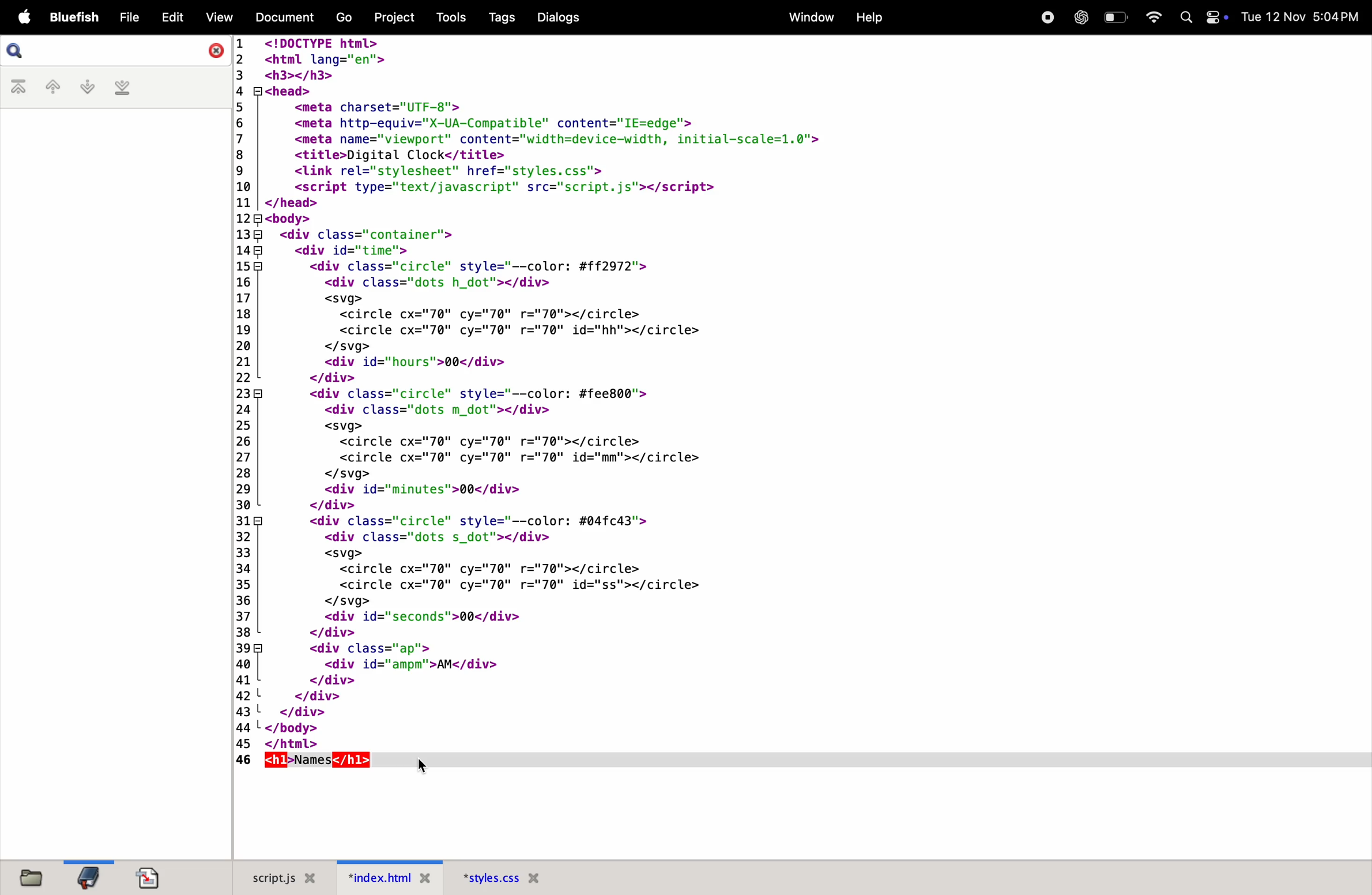 This screenshot has height=895, width=1372. Describe the element at coordinates (1215, 17) in the screenshot. I see `Toggle` at that location.